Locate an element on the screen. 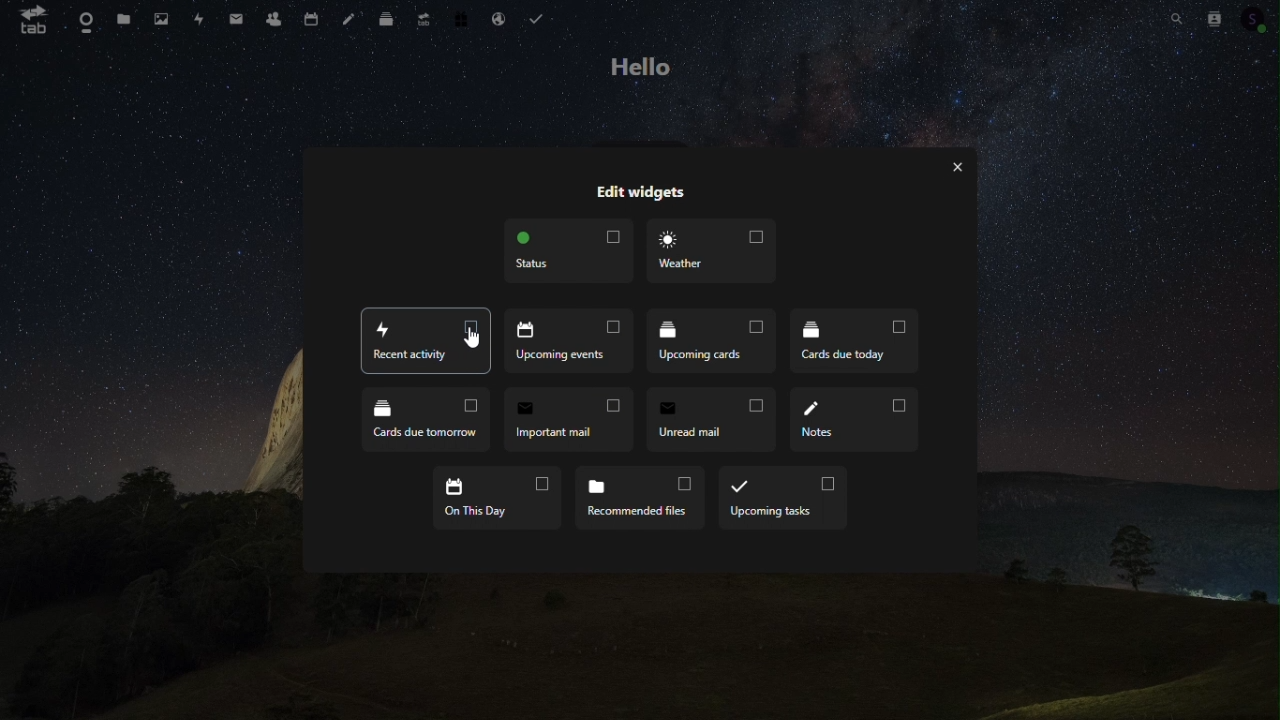 The image size is (1280, 720). Contacts is located at coordinates (1218, 17).